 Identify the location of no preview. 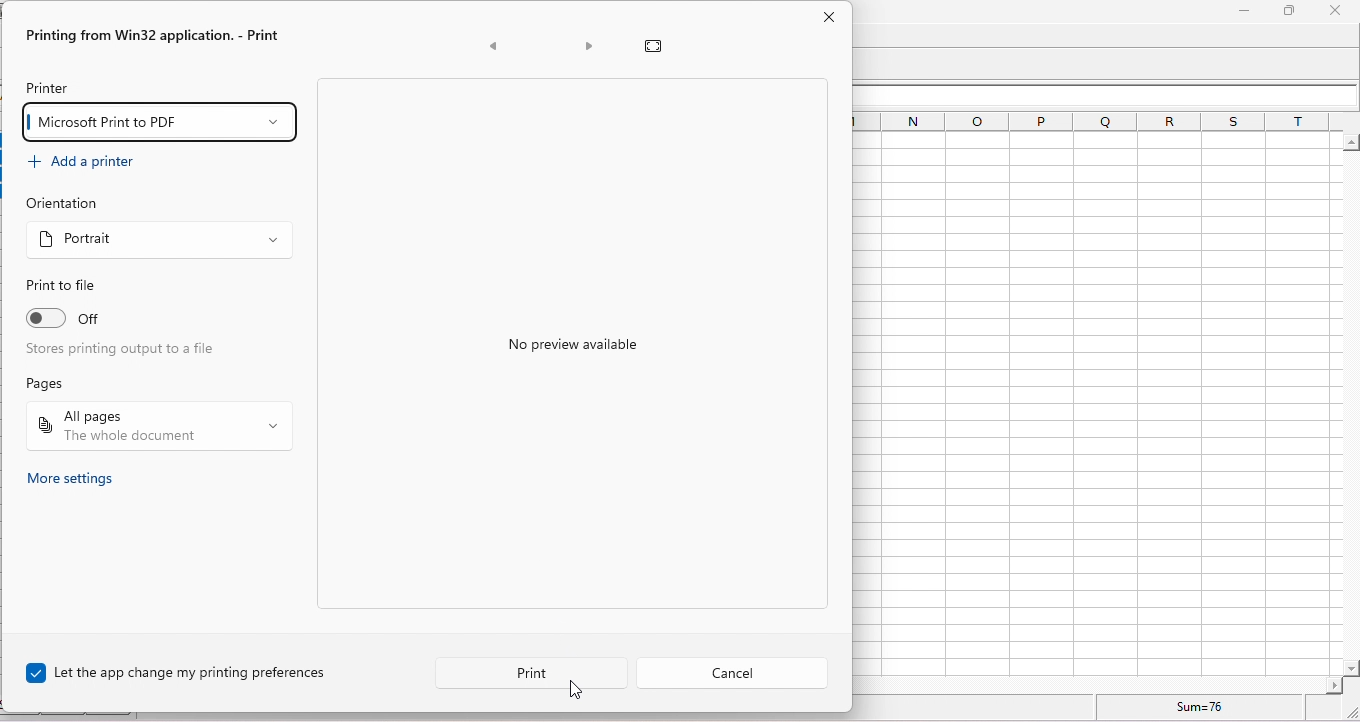
(602, 351).